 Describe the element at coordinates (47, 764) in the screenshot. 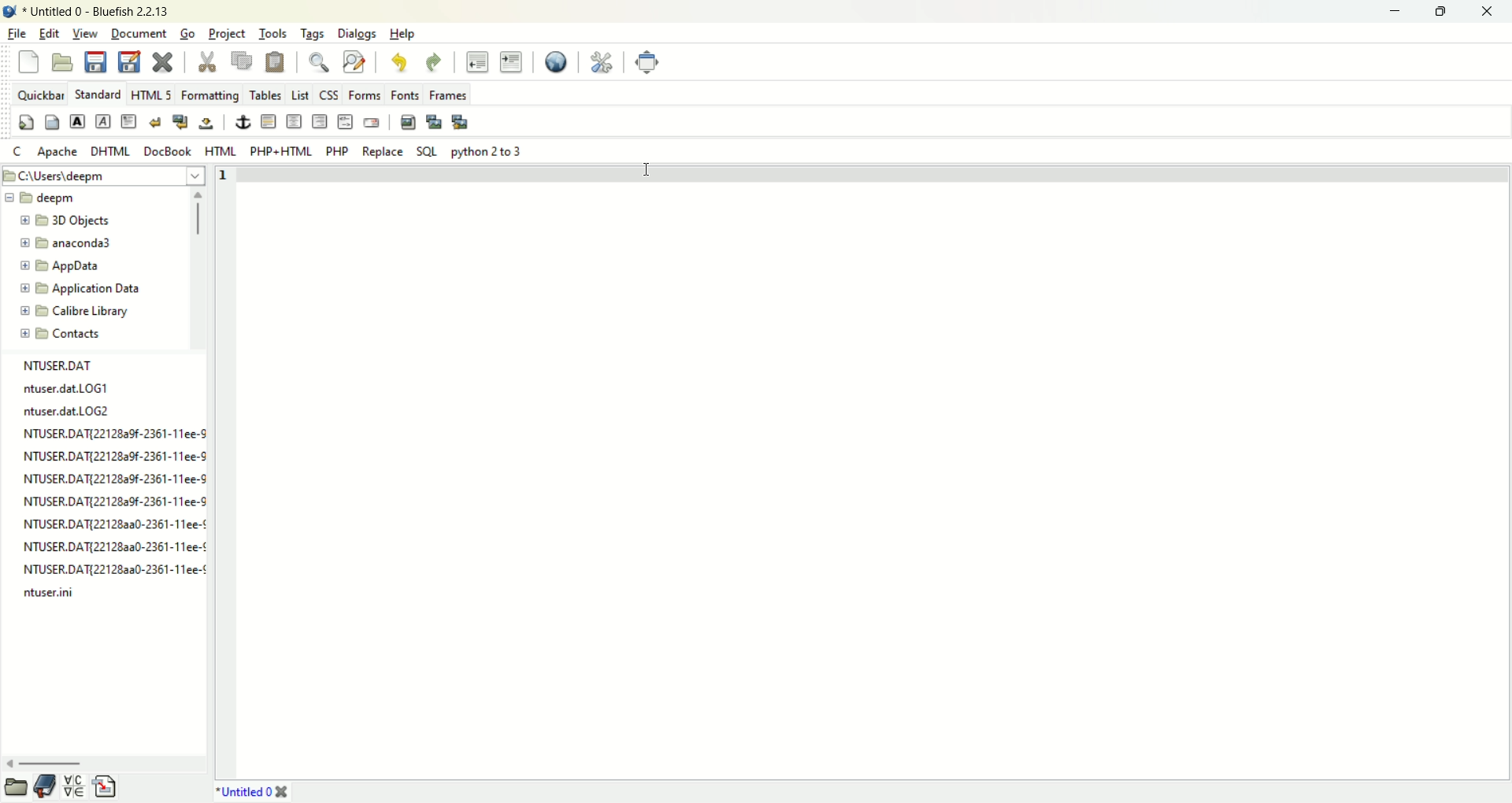

I see `horizontal scroll bar` at that location.